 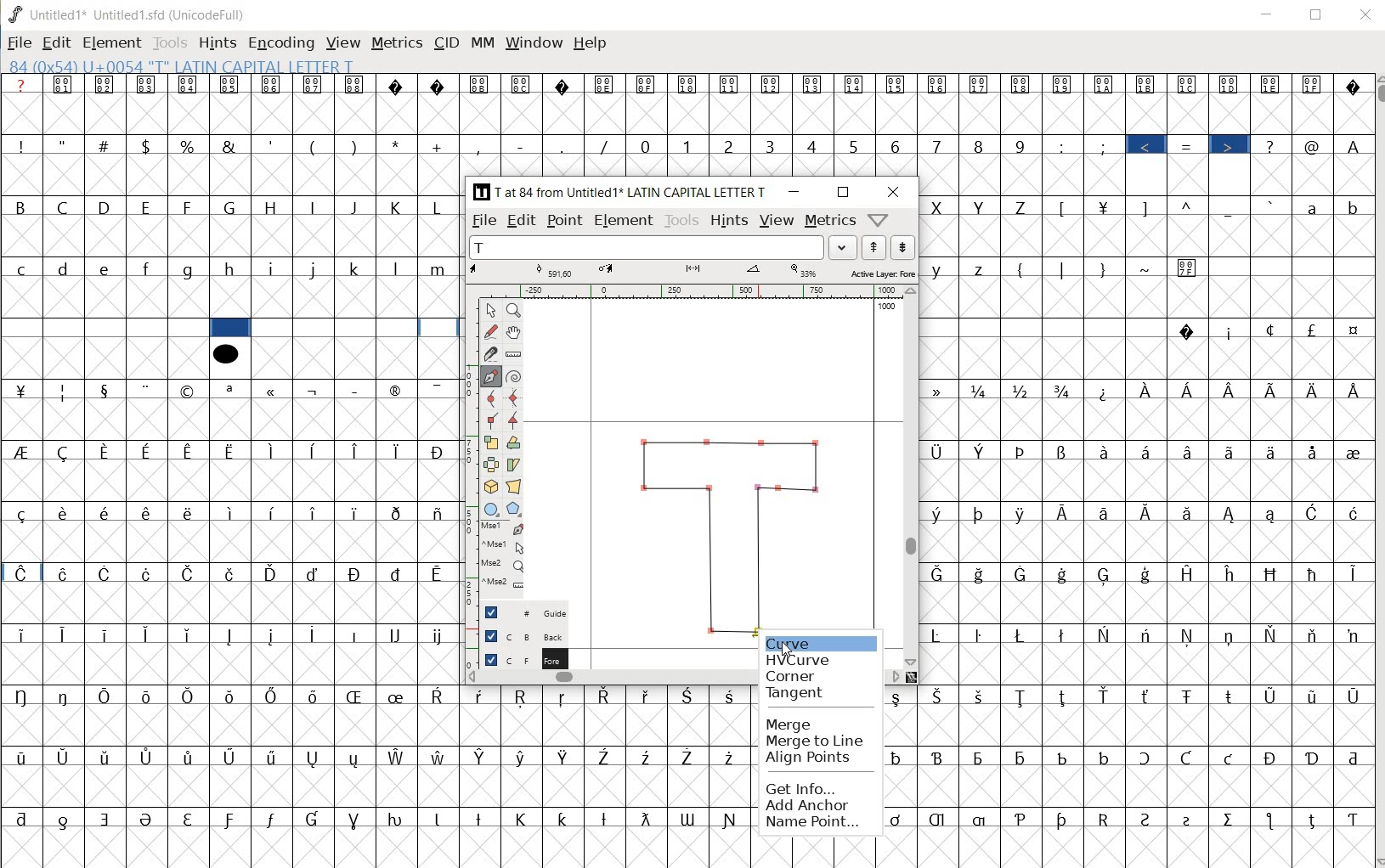 What do you see at coordinates (1150, 206) in the screenshot?
I see `]` at bounding box center [1150, 206].